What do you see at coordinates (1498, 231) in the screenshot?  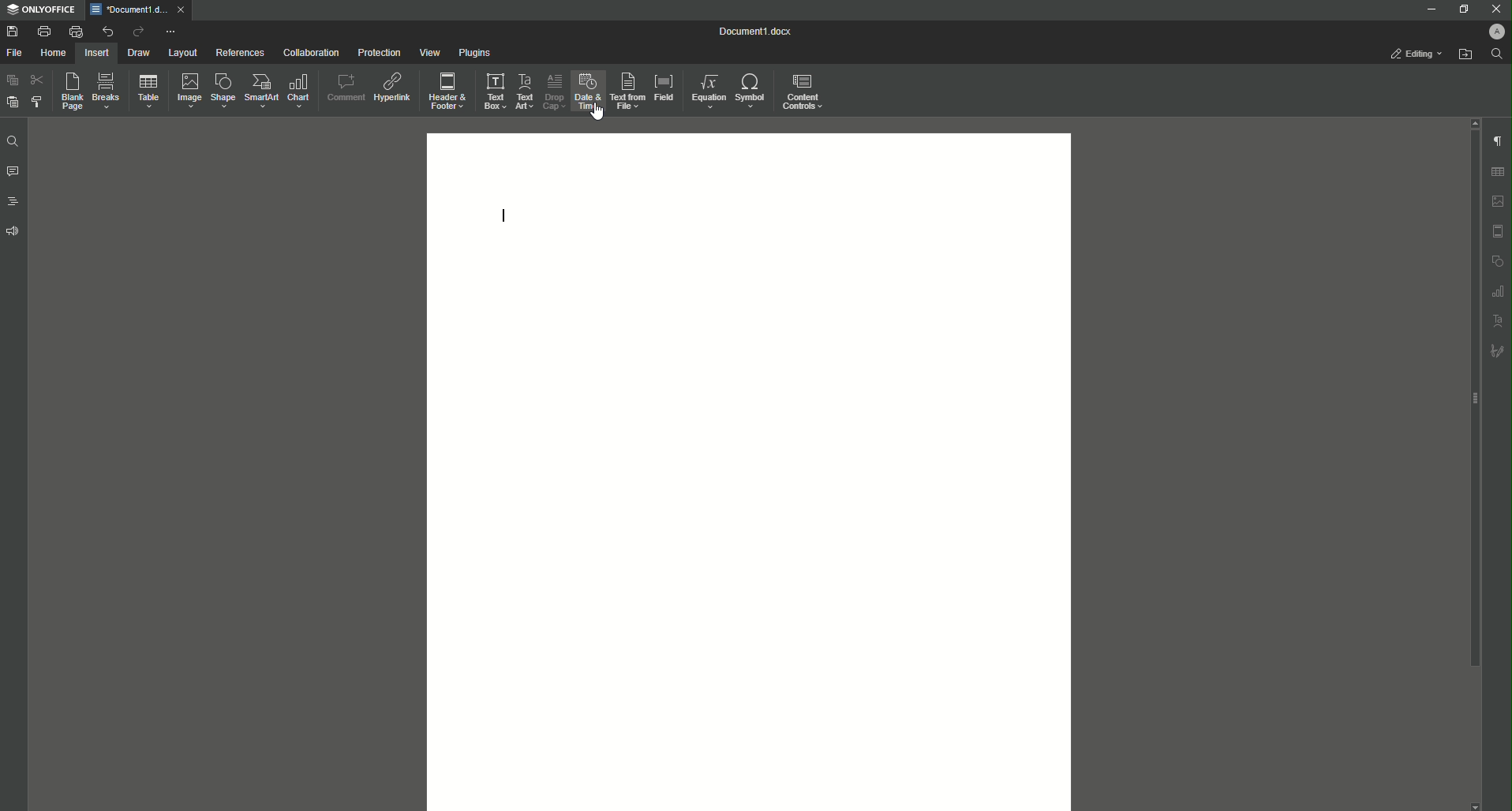 I see `header and footer settings` at bounding box center [1498, 231].